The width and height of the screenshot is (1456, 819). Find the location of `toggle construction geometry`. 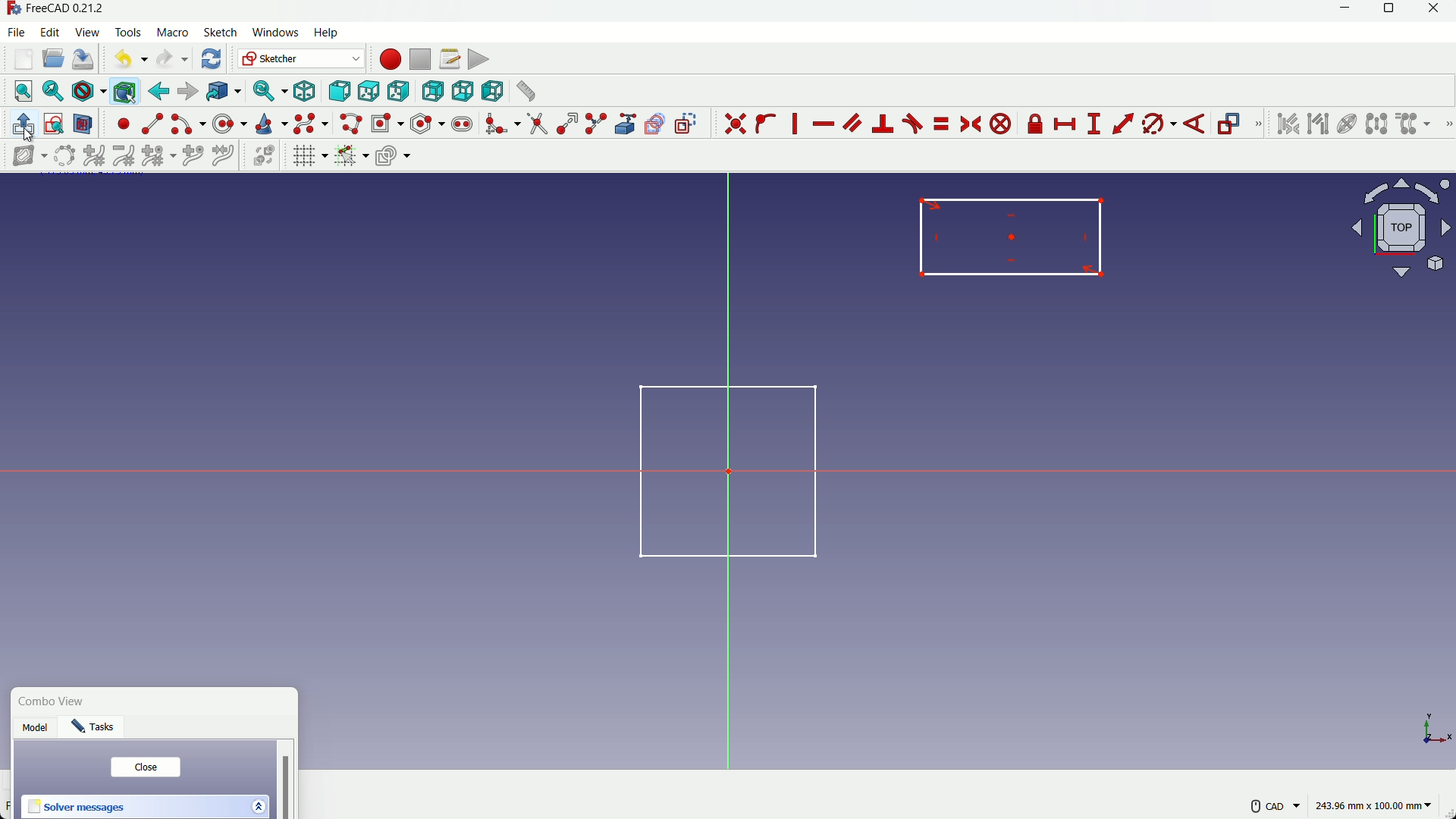

toggle construction geometry is located at coordinates (687, 123).